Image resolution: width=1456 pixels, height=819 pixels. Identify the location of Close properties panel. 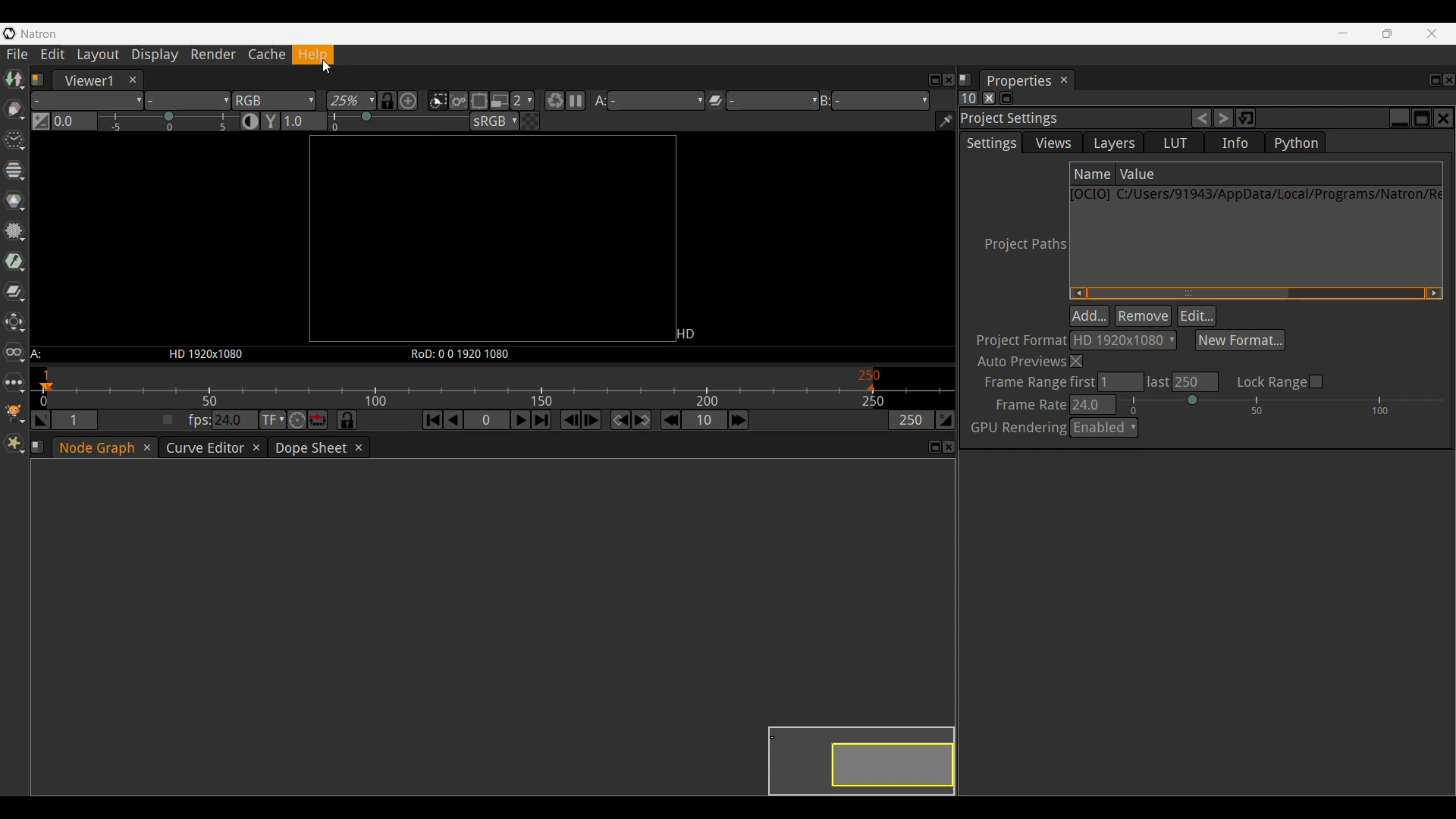
(1064, 80).